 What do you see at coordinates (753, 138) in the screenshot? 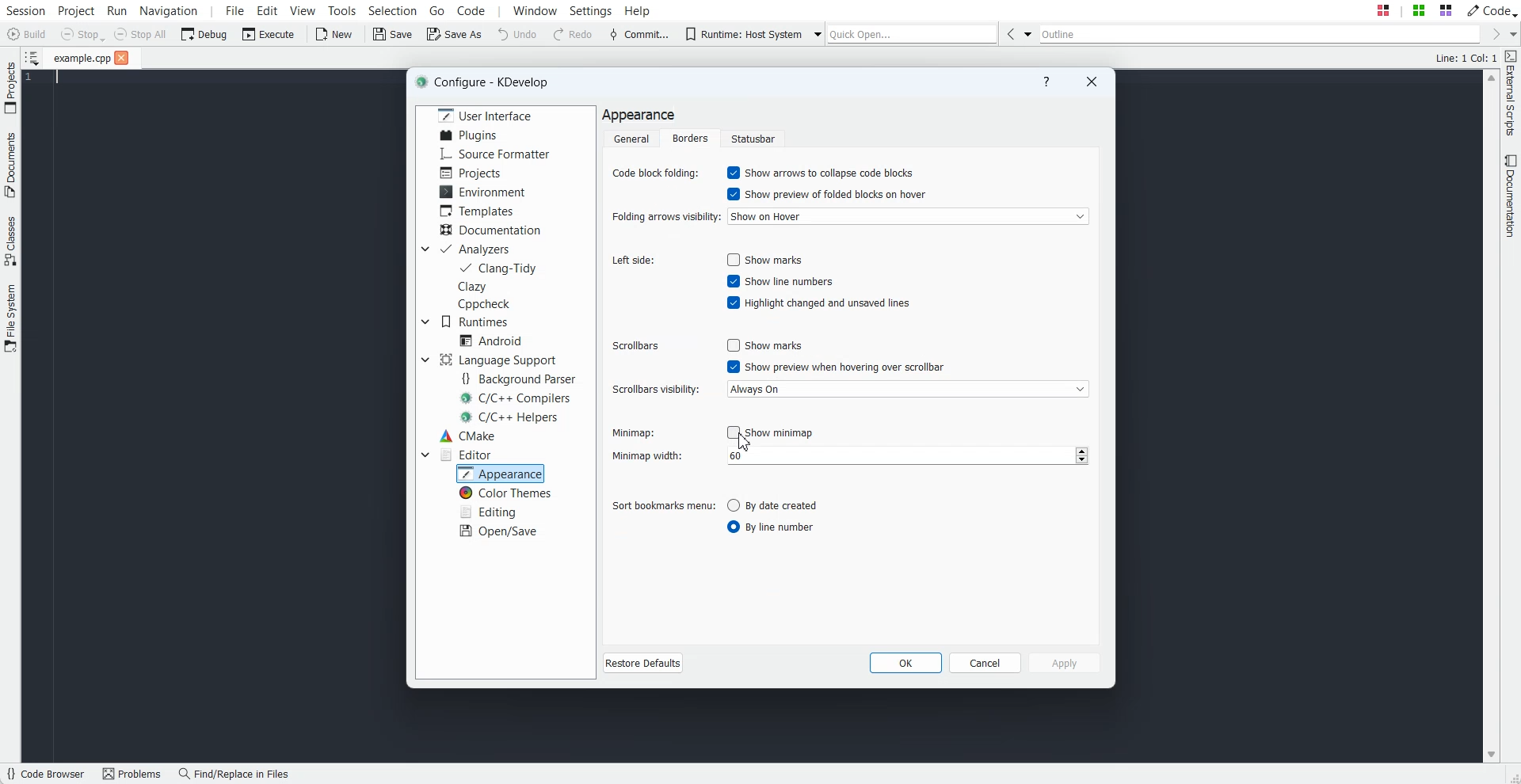
I see `Statusbar` at bounding box center [753, 138].